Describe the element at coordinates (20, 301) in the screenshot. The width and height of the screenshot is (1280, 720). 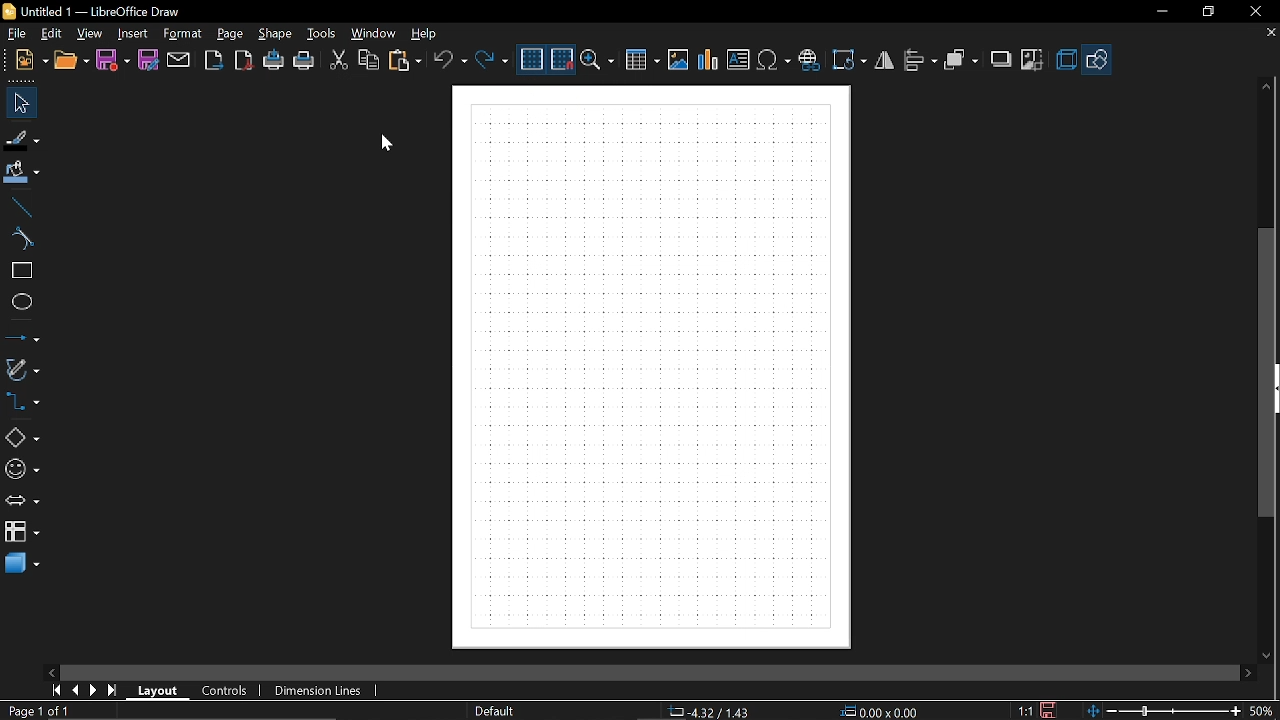
I see `ellipse` at that location.